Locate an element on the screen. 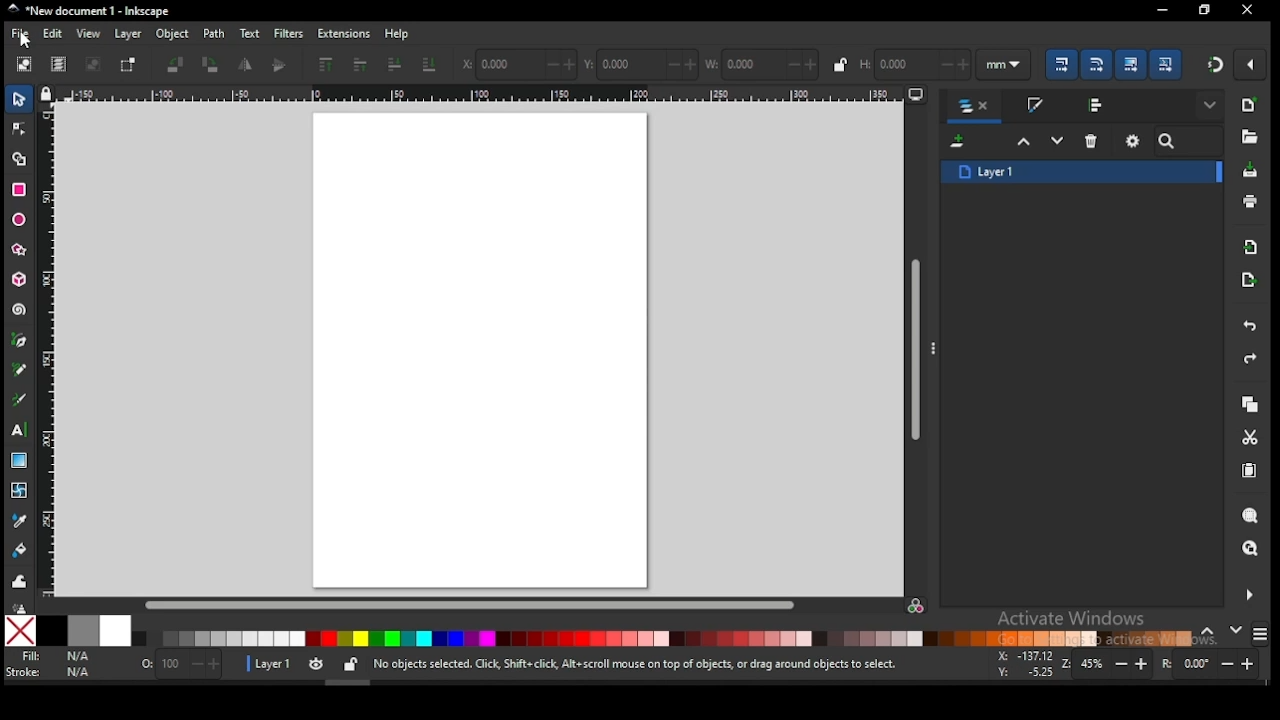  show is located at coordinates (1212, 106).